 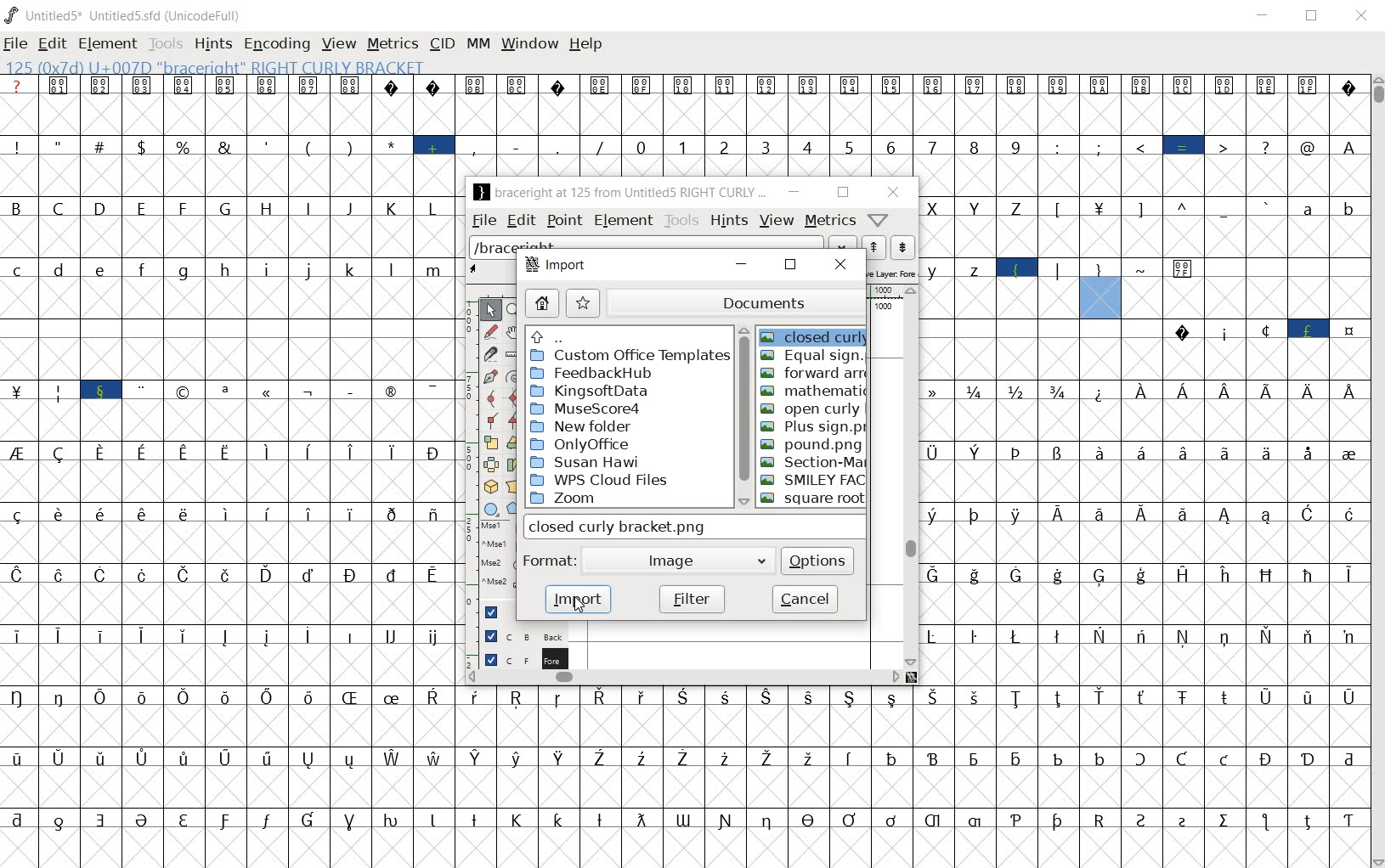 What do you see at coordinates (812, 334) in the screenshot?
I see `closed curly` at bounding box center [812, 334].